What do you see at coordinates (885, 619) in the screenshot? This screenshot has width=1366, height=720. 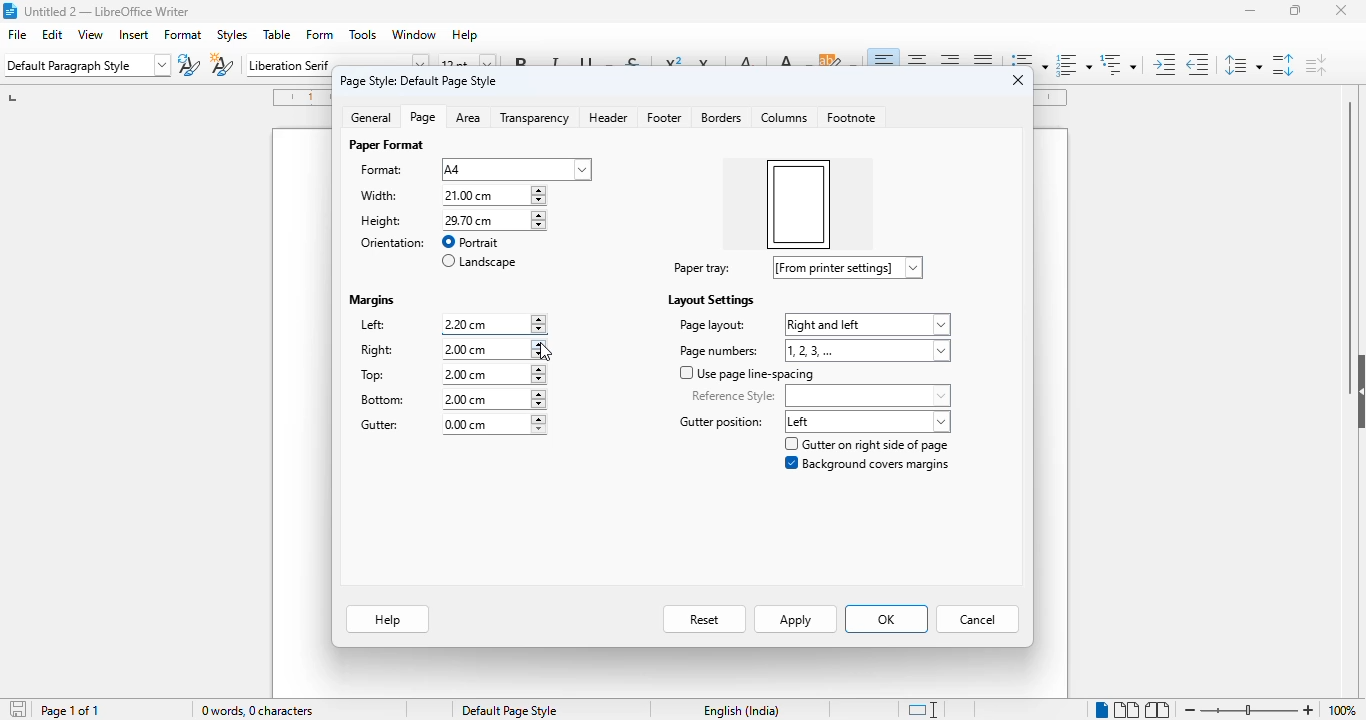 I see `OK` at bounding box center [885, 619].